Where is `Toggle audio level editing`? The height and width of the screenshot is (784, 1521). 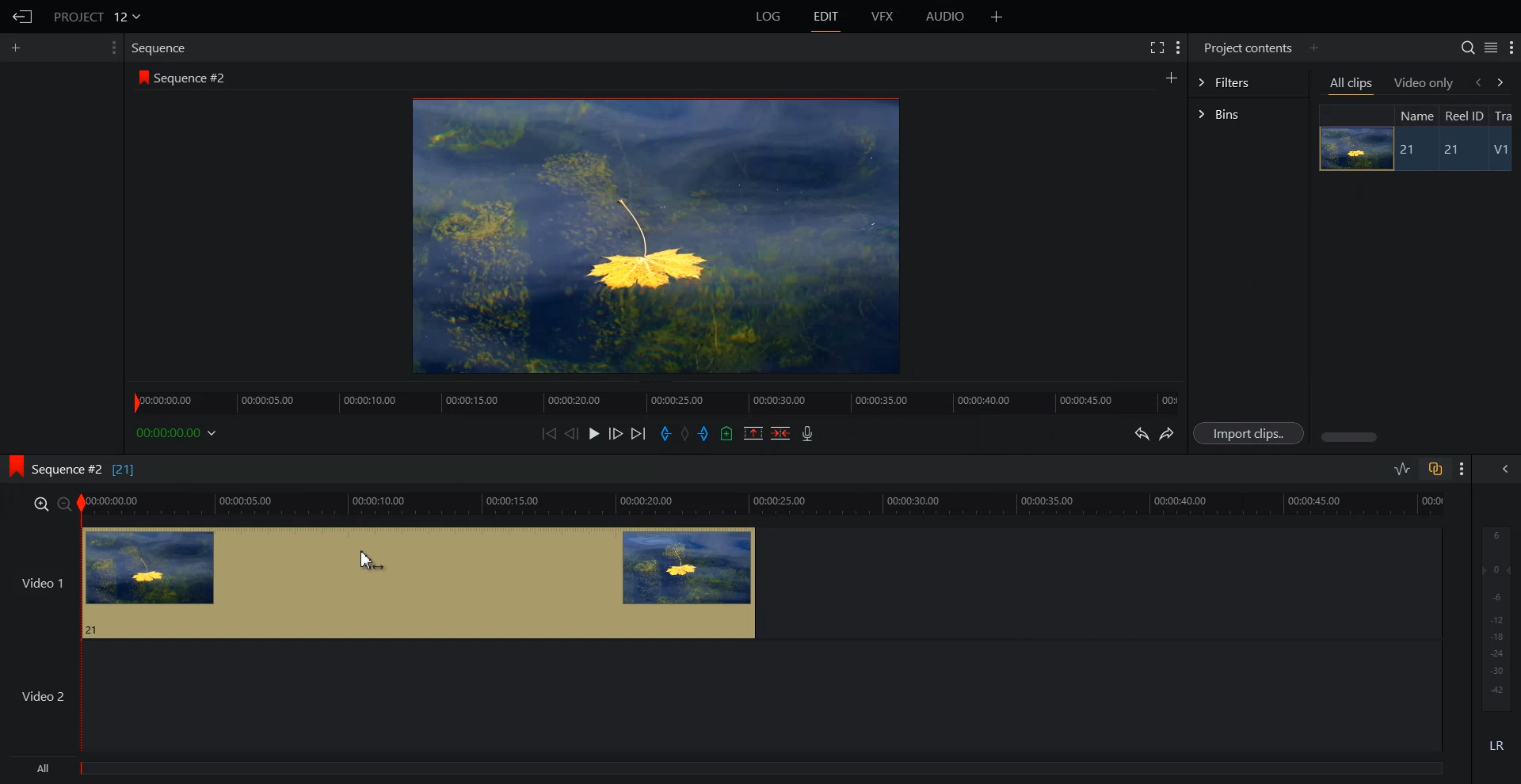
Toggle audio level editing is located at coordinates (1402, 468).